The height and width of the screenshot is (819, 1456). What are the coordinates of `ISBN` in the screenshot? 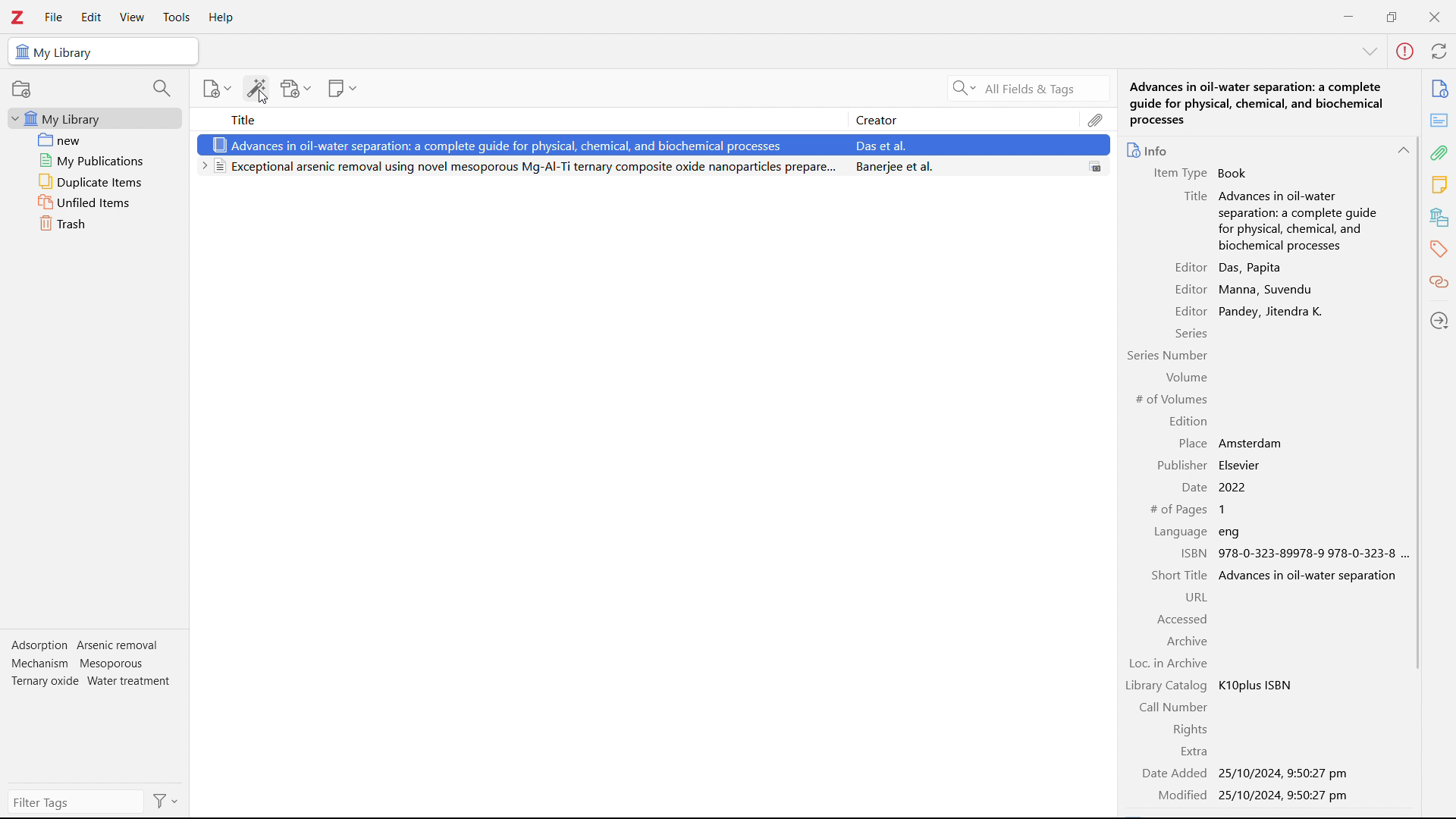 It's located at (1193, 554).